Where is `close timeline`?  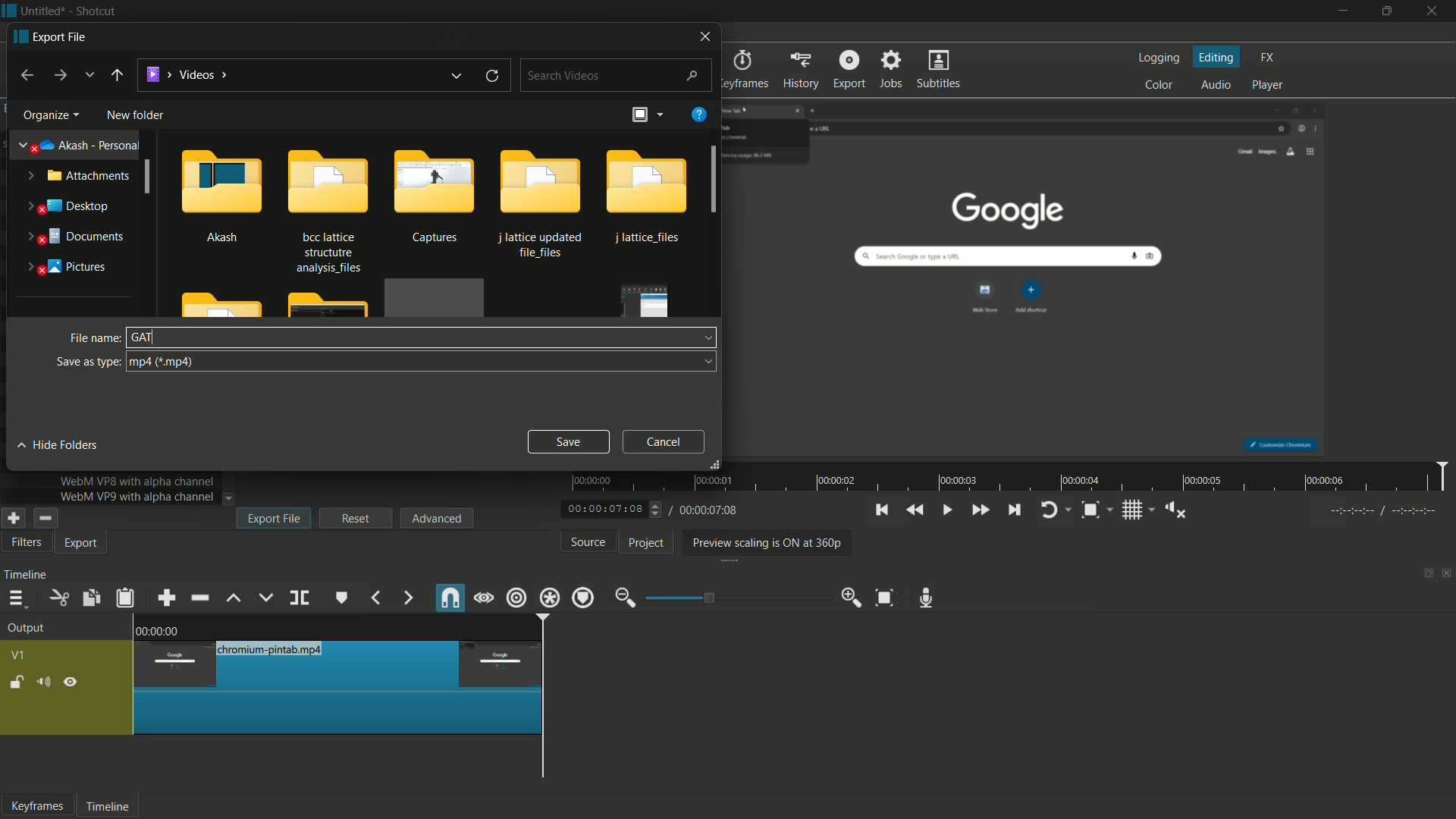 close timeline is located at coordinates (1447, 575).